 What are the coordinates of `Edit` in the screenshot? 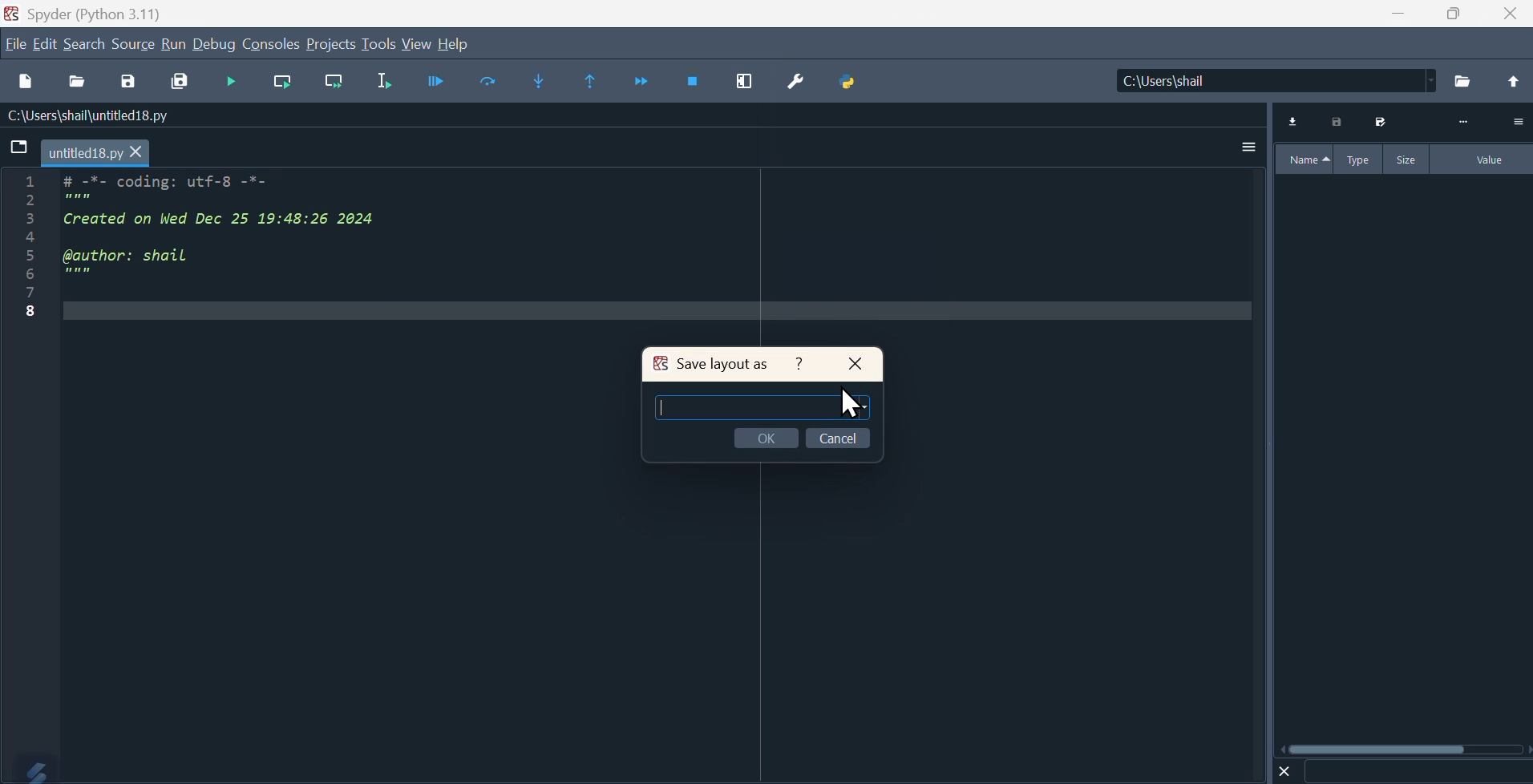 It's located at (47, 43).